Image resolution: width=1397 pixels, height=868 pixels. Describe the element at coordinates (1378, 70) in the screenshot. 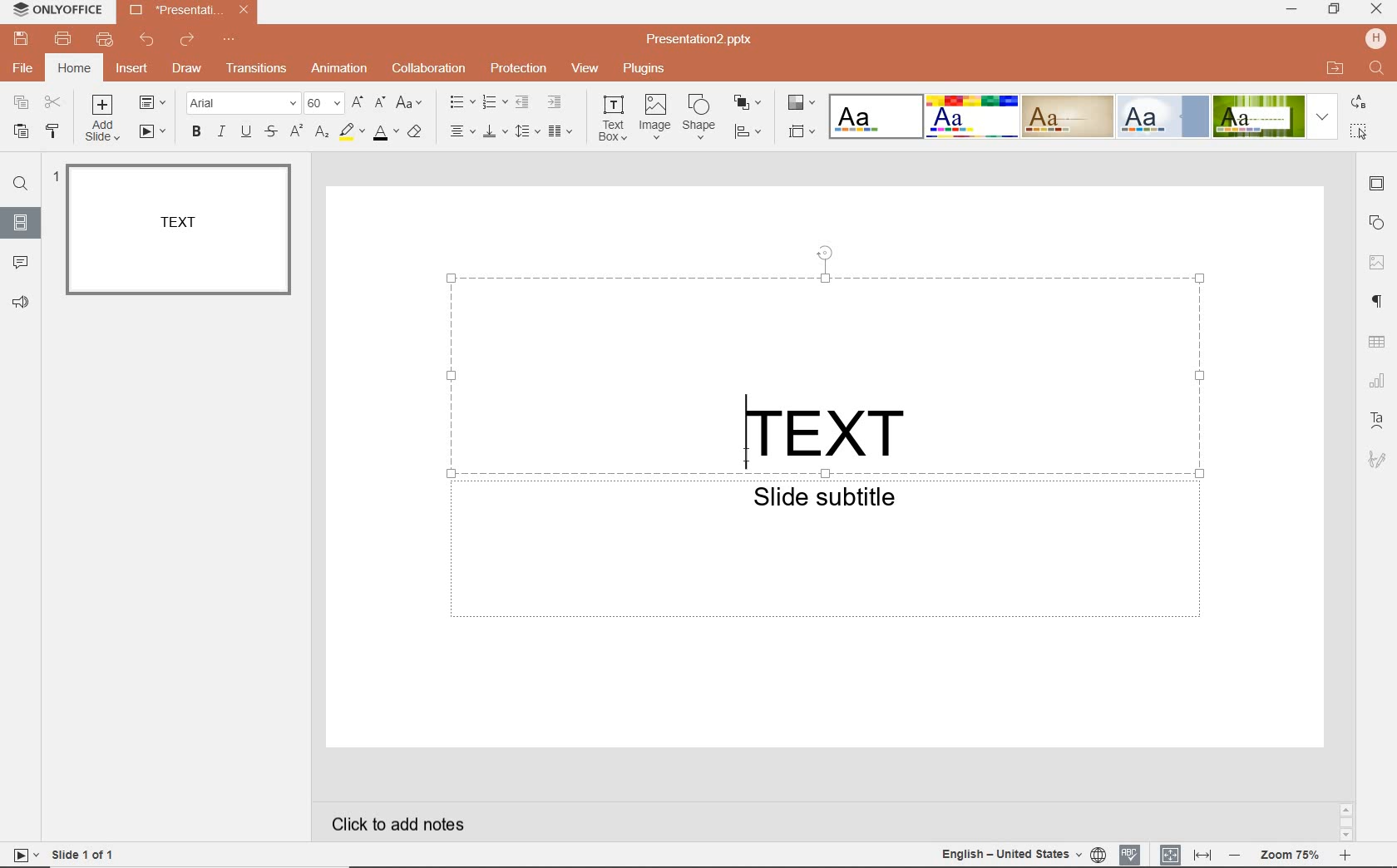

I see `find` at that location.